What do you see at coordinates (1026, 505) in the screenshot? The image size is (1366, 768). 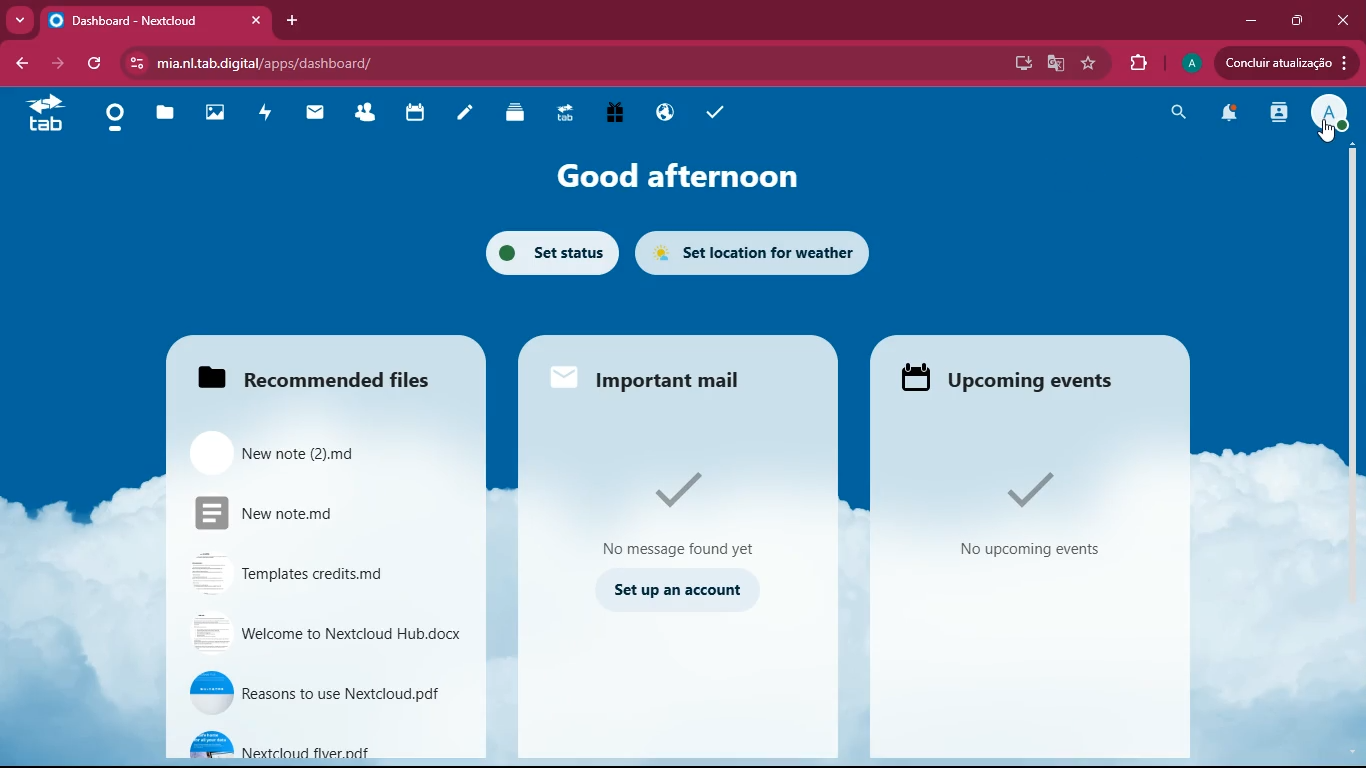 I see `No upcoming events` at bounding box center [1026, 505].